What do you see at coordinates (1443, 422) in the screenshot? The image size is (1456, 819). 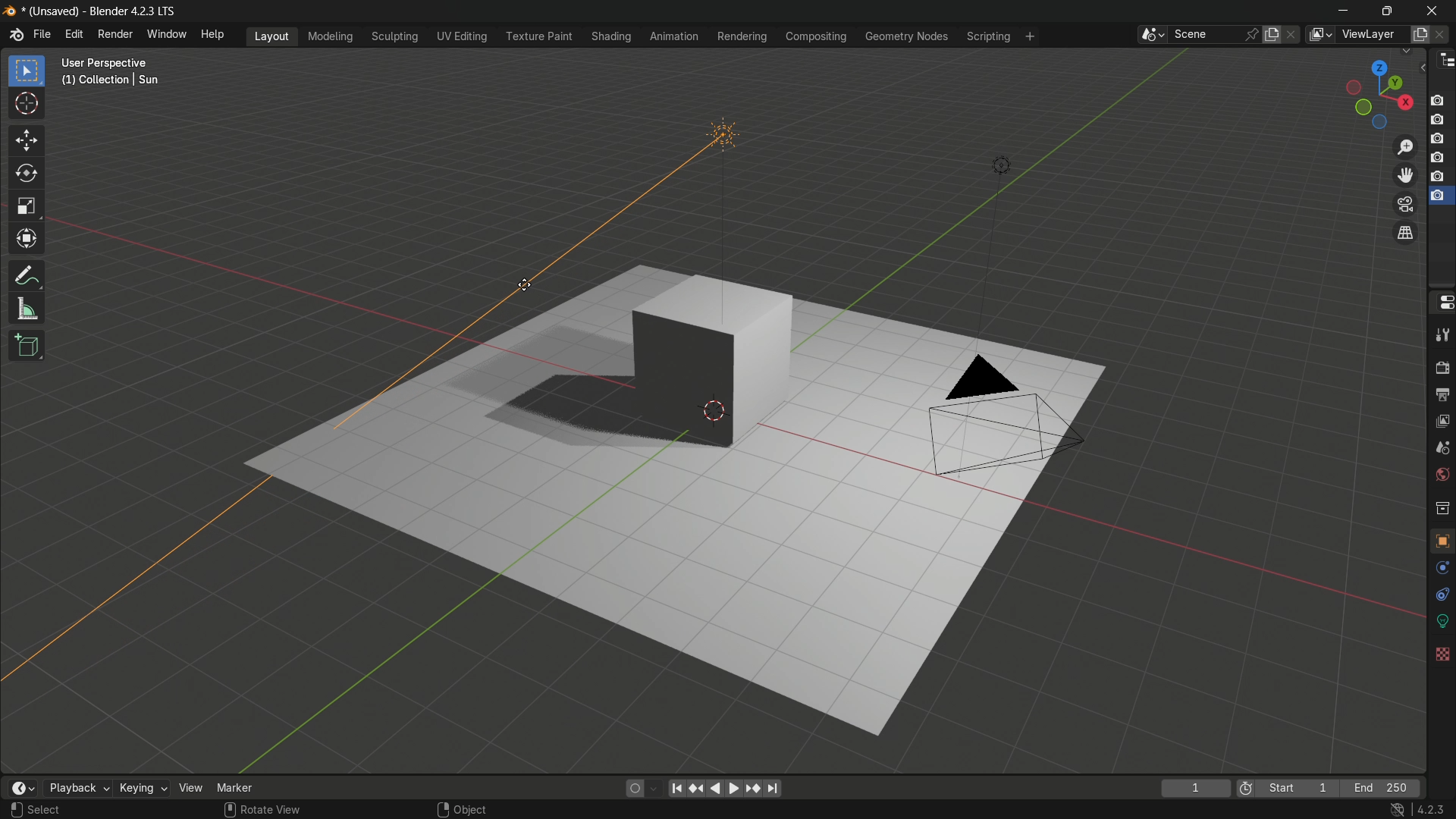 I see `view layer` at bounding box center [1443, 422].